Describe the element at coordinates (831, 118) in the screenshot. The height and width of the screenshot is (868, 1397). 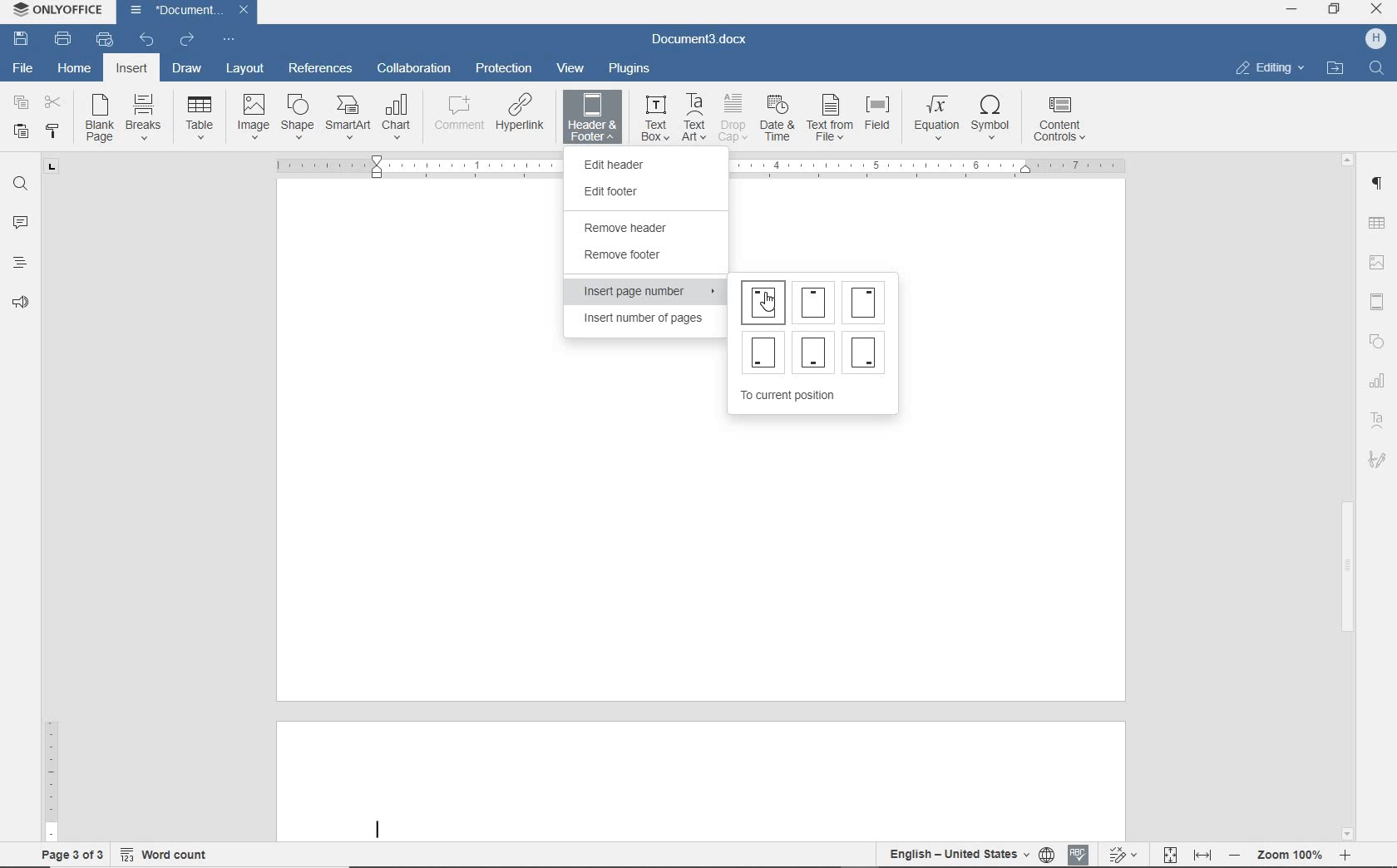
I see `TEXT FROM FILE` at that location.